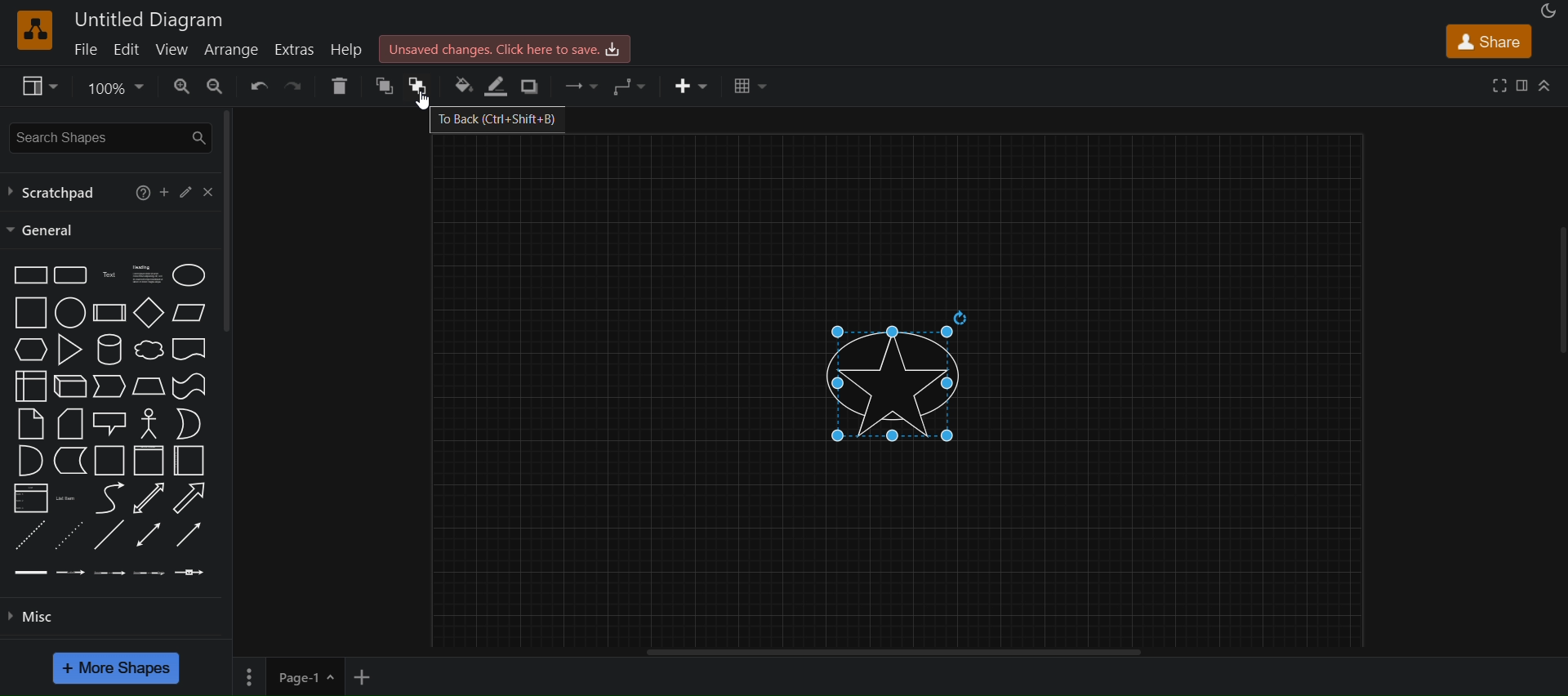 The width and height of the screenshot is (1568, 696). Describe the element at coordinates (192, 572) in the screenshot. I see `connetor with symbol` at that location.